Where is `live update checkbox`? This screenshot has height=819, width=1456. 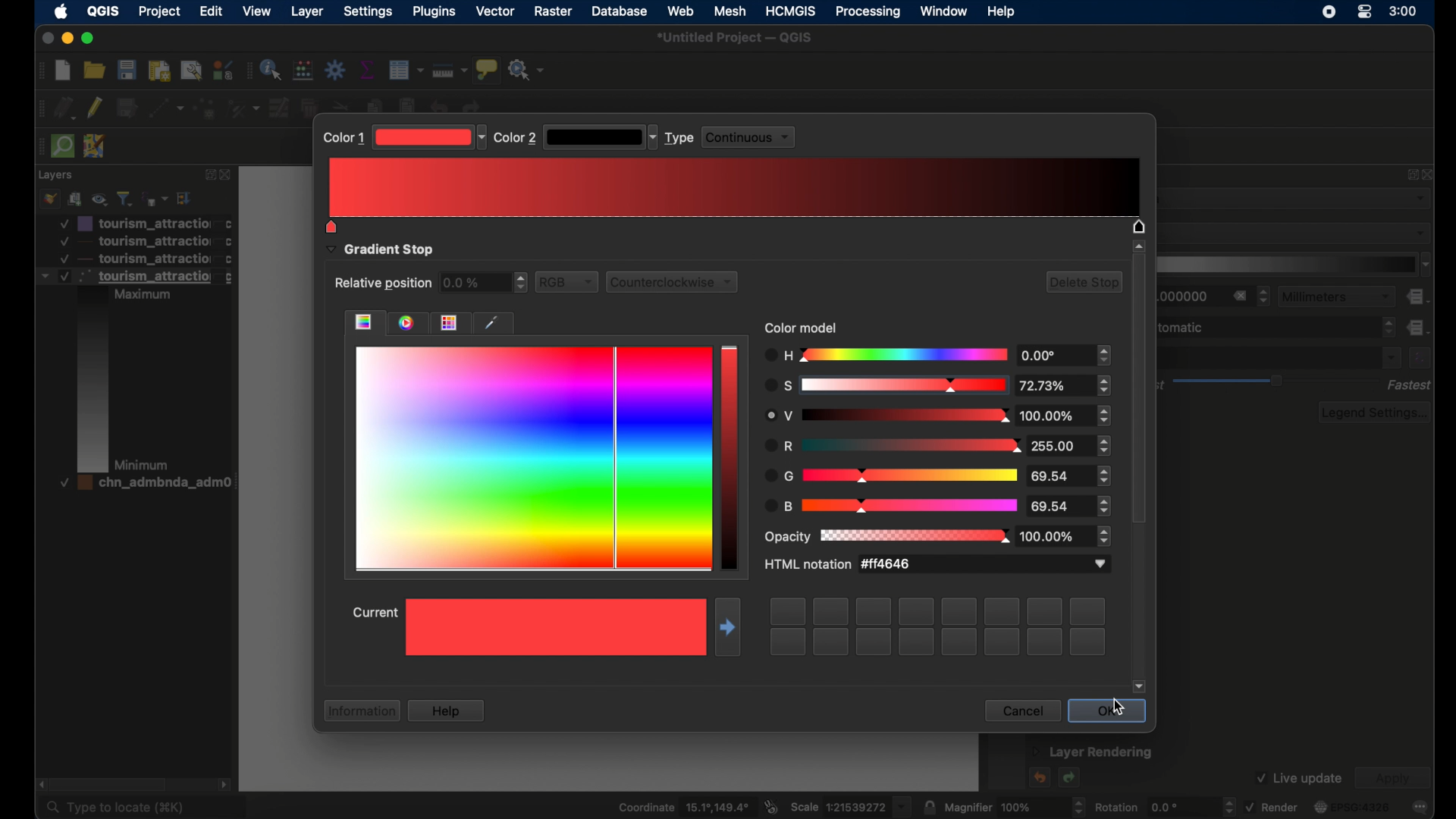
live update checkbox is located at coordinates (1298, 777).